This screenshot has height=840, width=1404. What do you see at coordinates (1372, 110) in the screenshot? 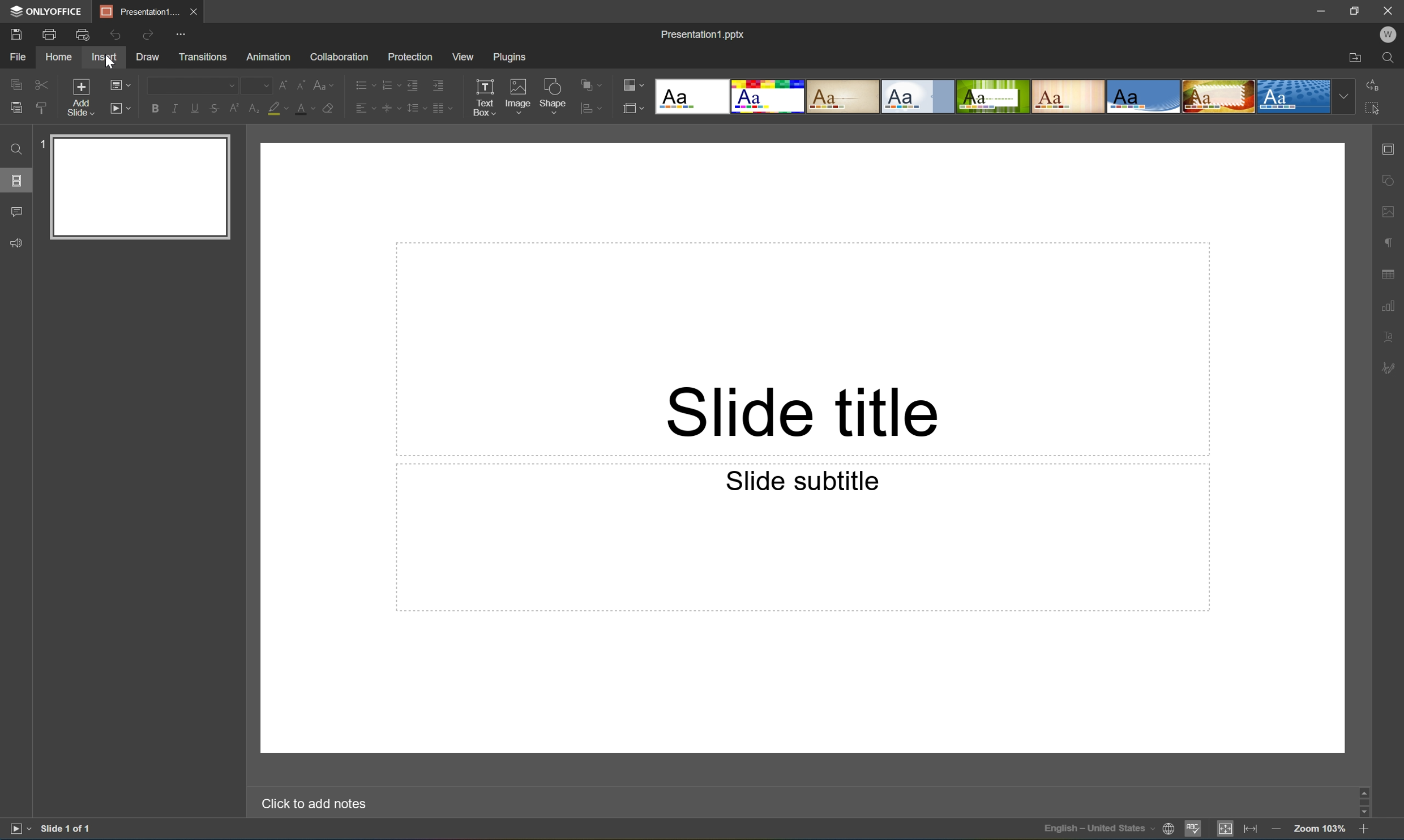
I see `Select All` at bounding box center [1372, 110].